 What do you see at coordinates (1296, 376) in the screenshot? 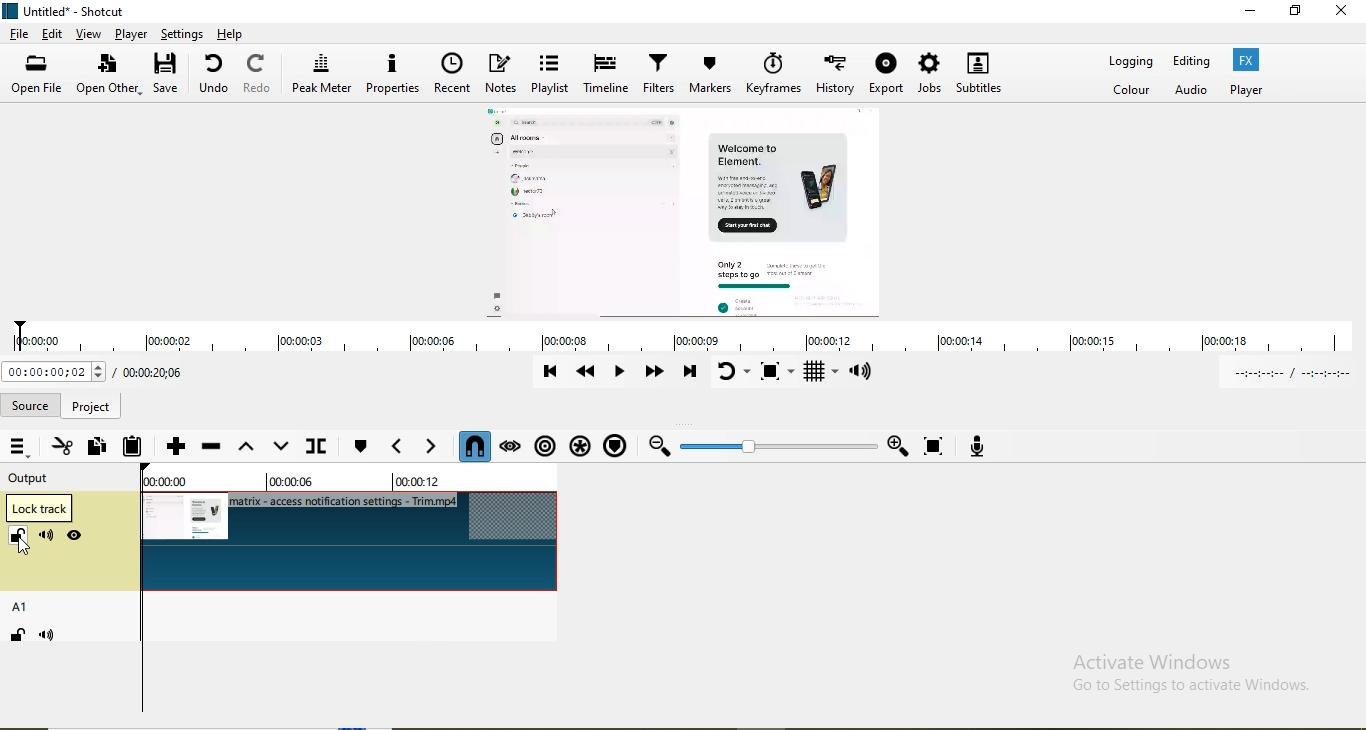
I see `In point` at bounding box center [1296, 376].